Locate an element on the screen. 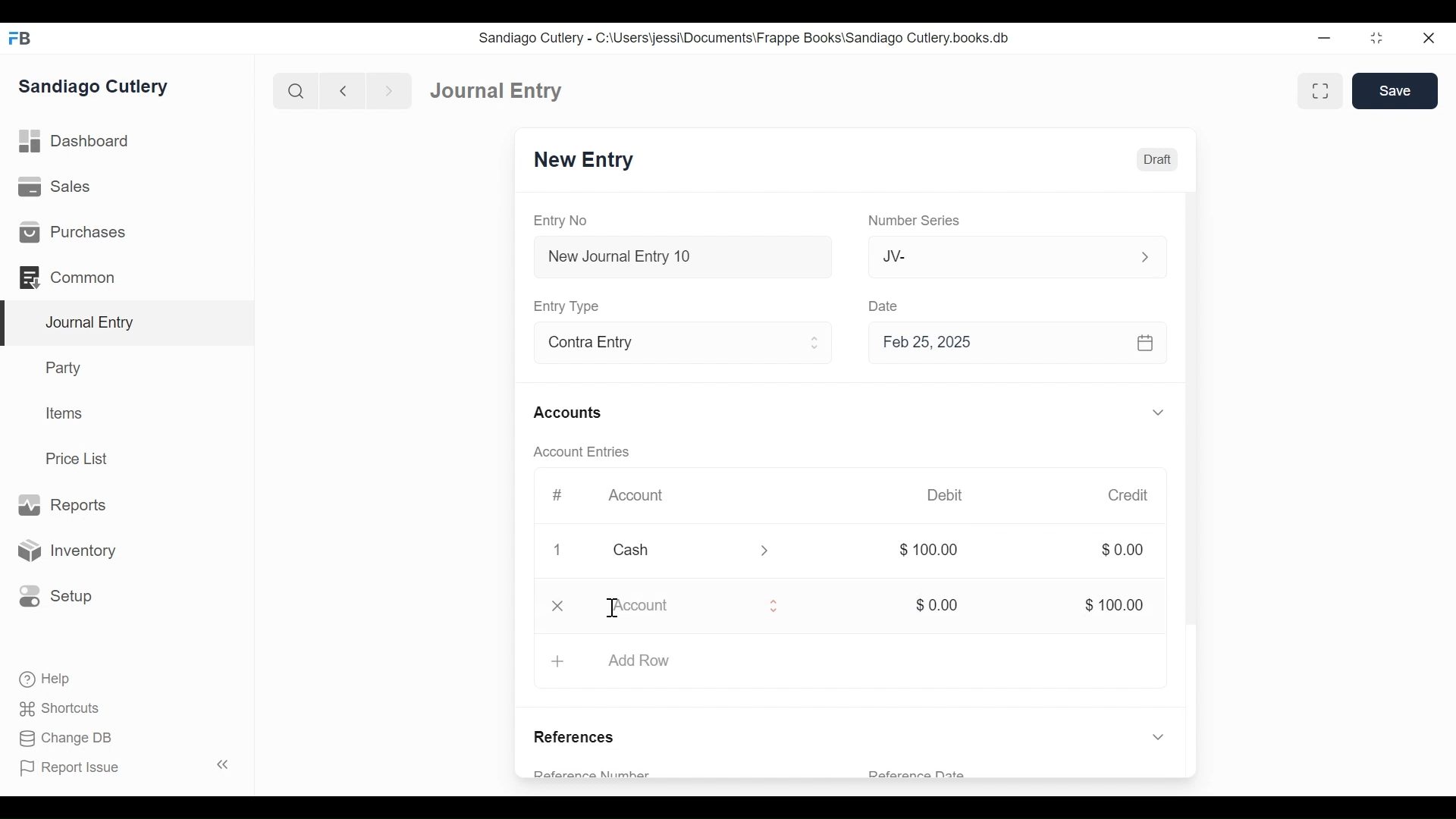  Dashboard is located at coordinates (80, 143).